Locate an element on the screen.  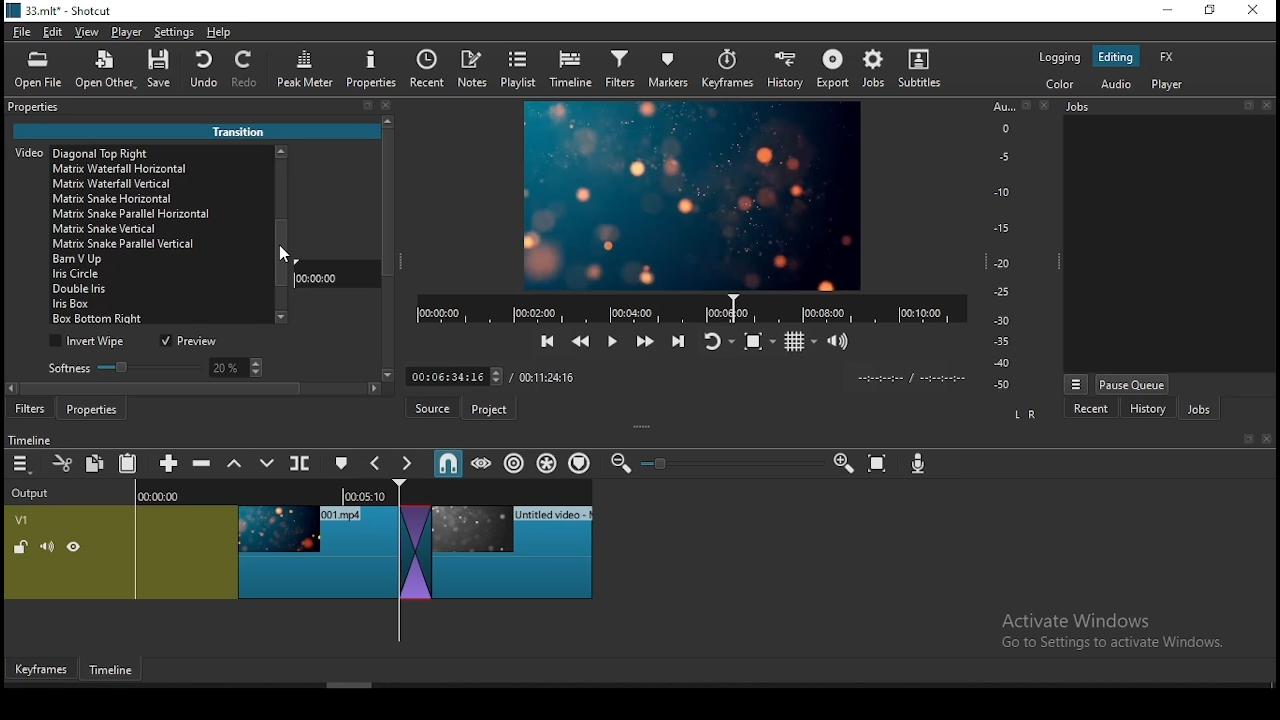
 is located at coordinates (1247, 440).